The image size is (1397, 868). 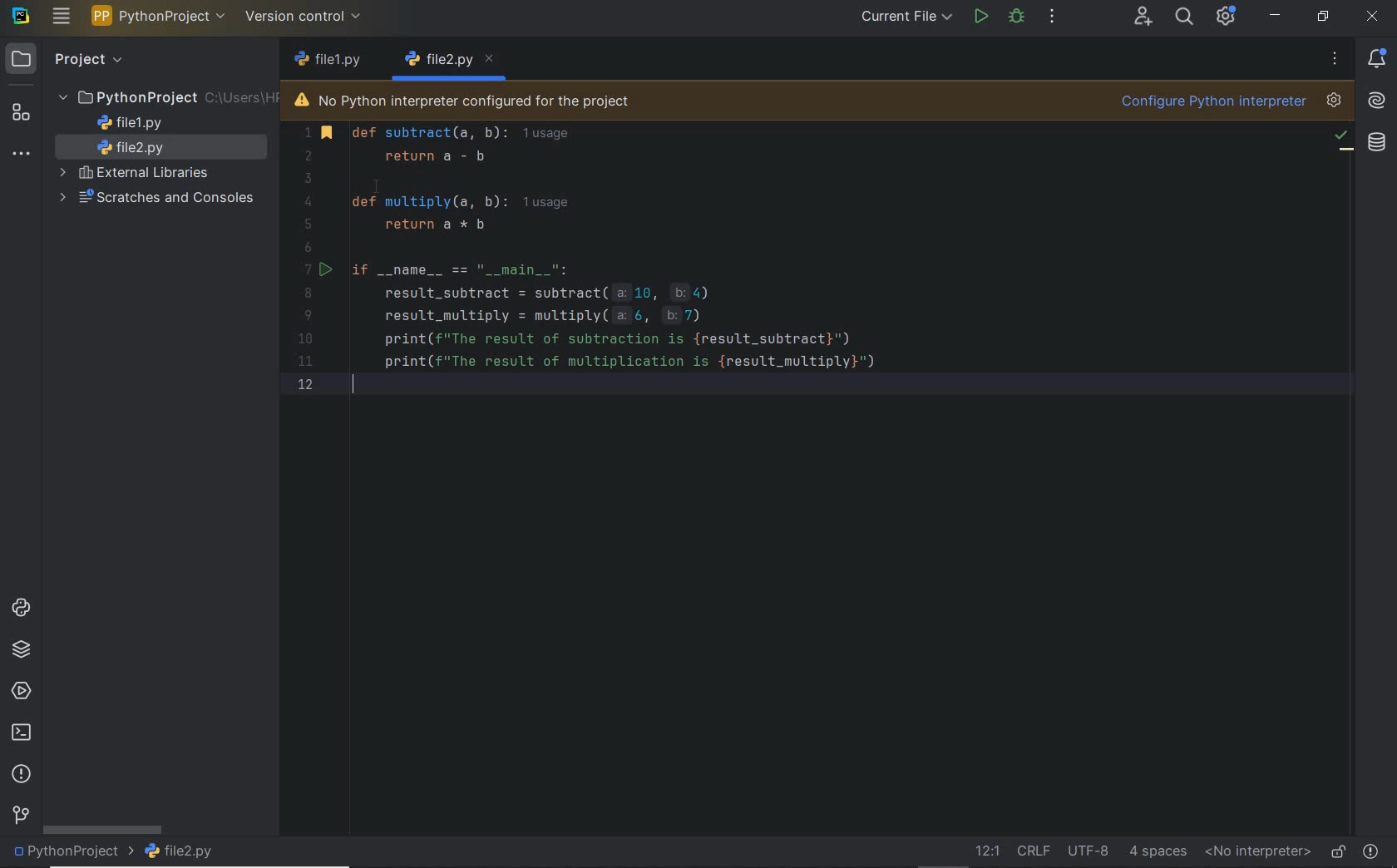 I want to click on code with me, so click(x=1143, y=18).